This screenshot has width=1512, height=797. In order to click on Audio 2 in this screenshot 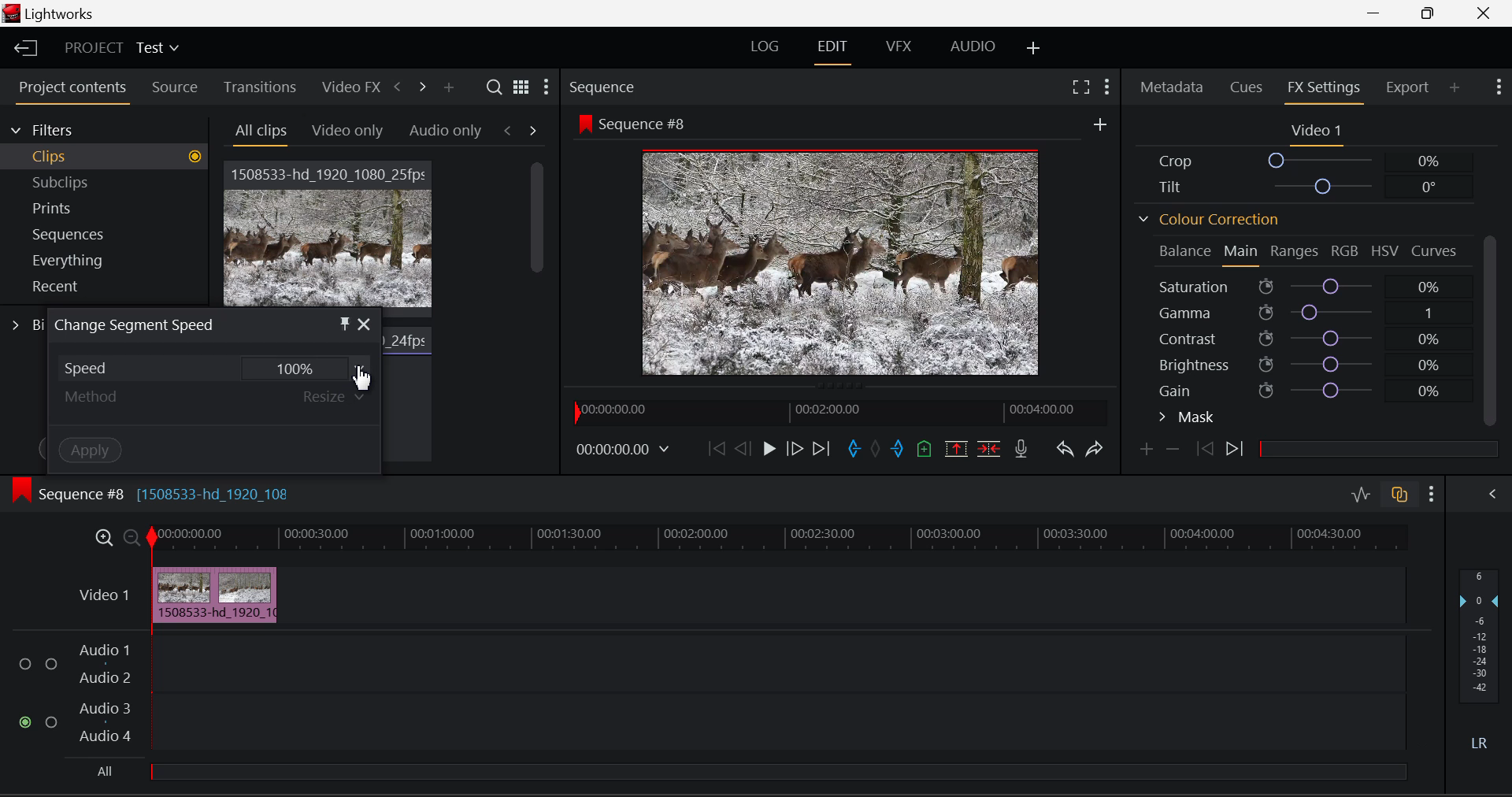, I will do `click(107, 678)`.